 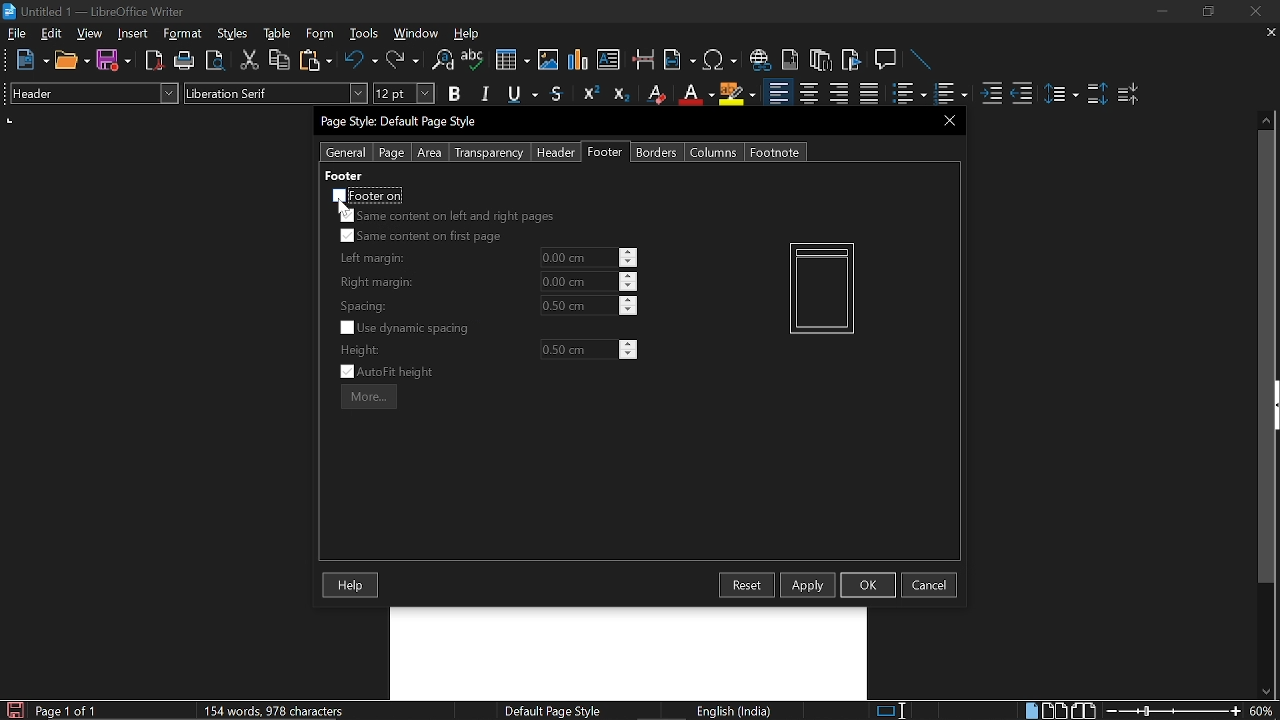 I want to click on File, so click(x=17, y=33).